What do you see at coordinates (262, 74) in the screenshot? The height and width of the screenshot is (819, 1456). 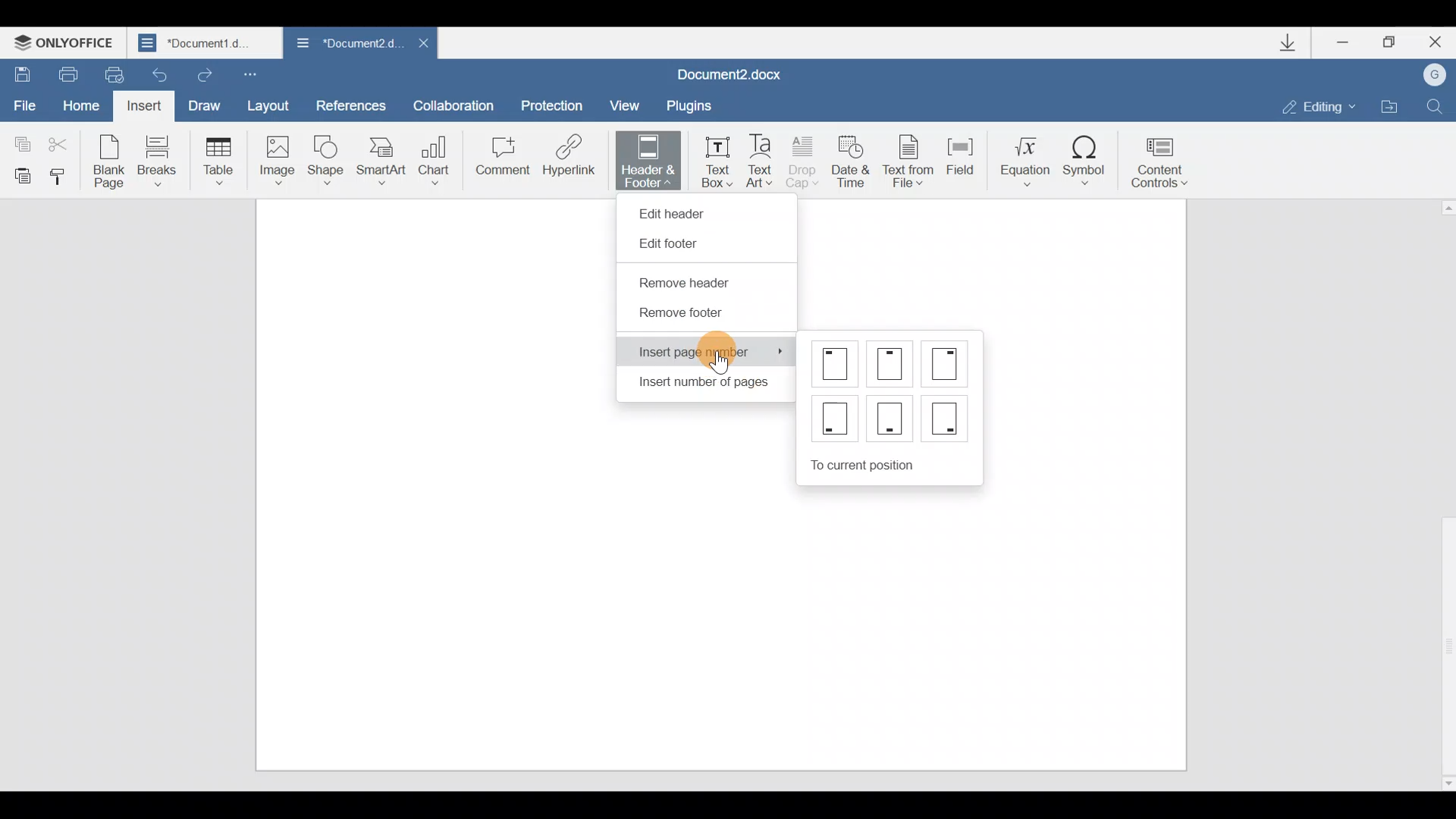 I see `Customize quick access toolbar` at bounding box center [262, 74].